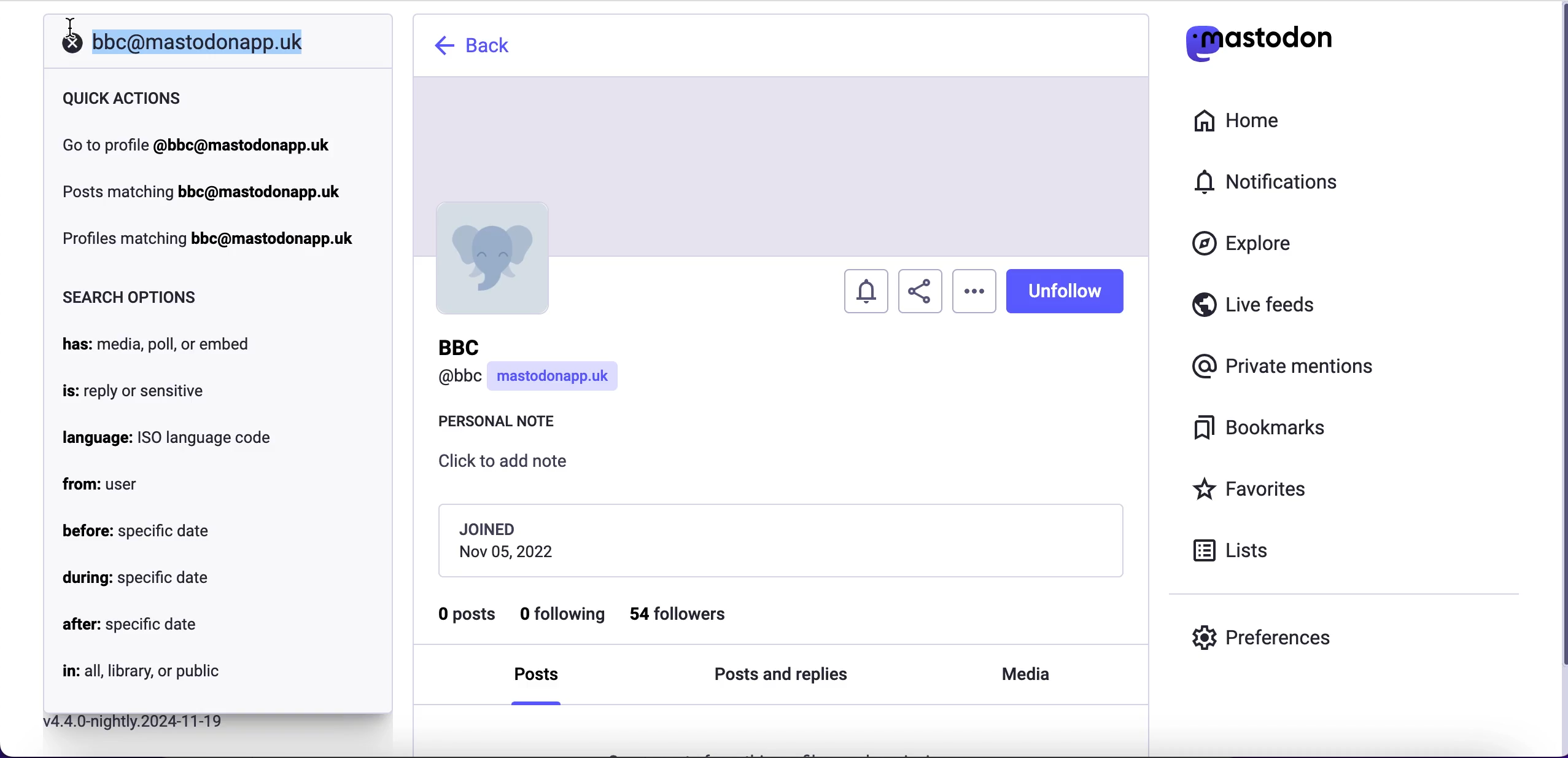  Describe the element at coordinates (1254, 244) in the screenshot. I see `explore` at that location.